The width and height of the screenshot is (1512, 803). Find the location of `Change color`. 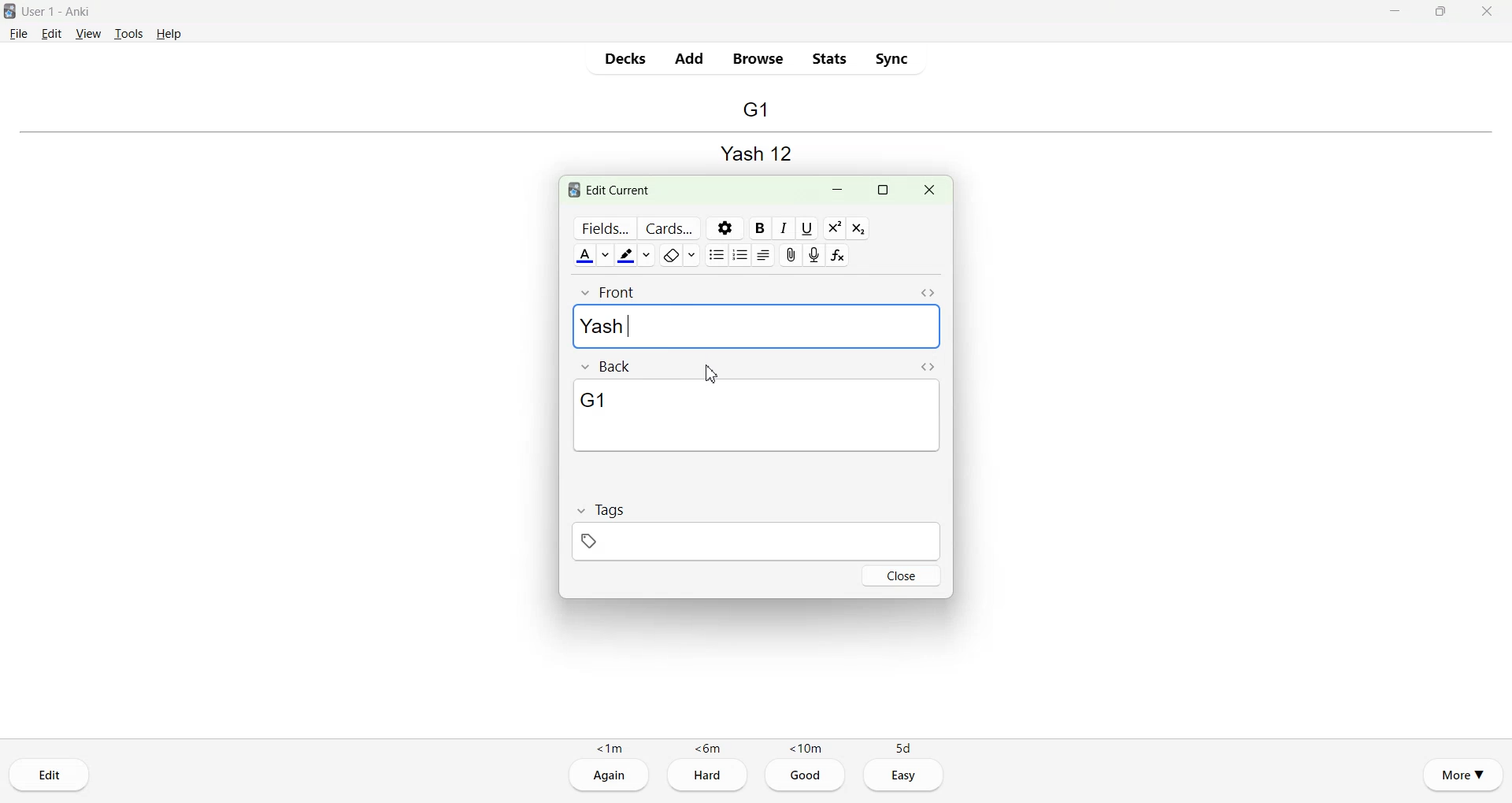

Change color is located at coordinates (650, 255).